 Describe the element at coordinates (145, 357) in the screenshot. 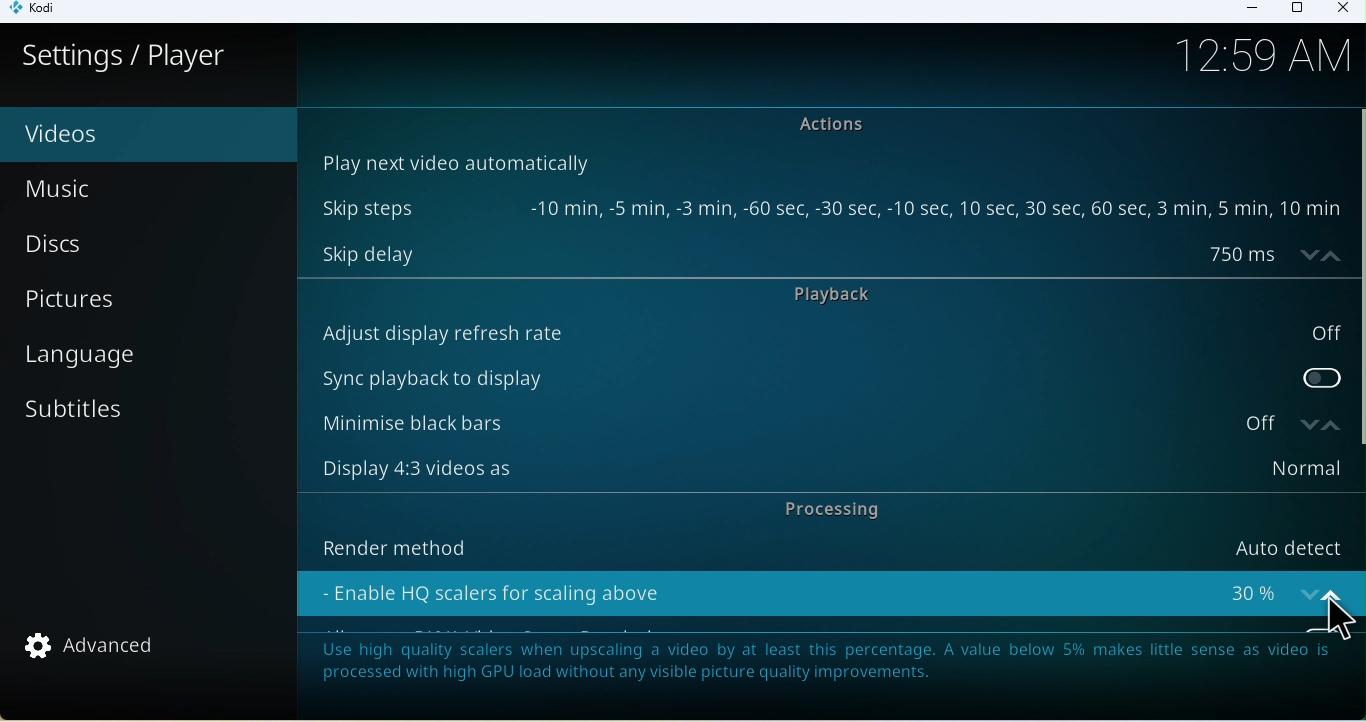

I see `Language` at that location.